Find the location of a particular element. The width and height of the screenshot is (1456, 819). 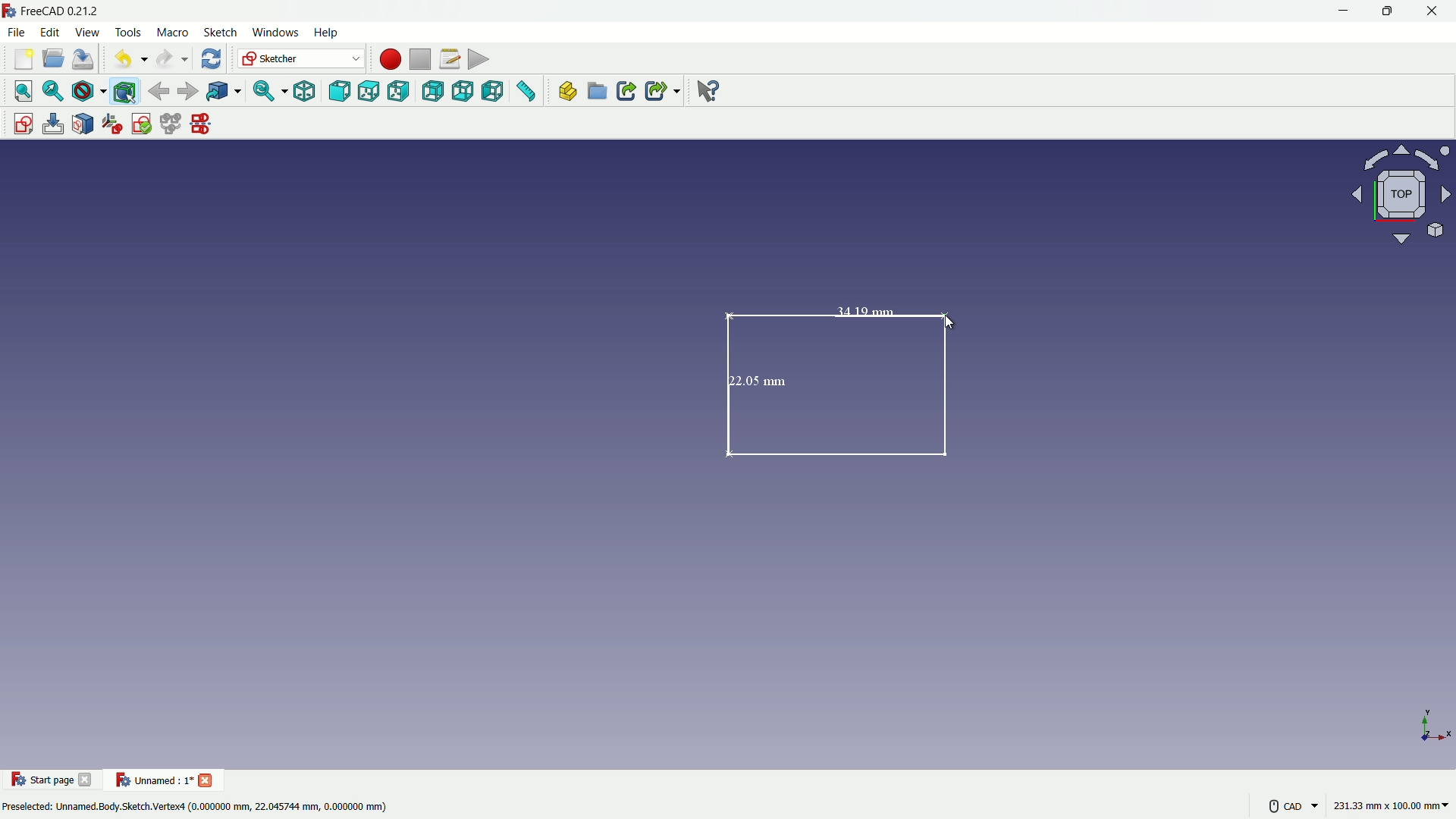

help extension is located at coordinates (709, 92).